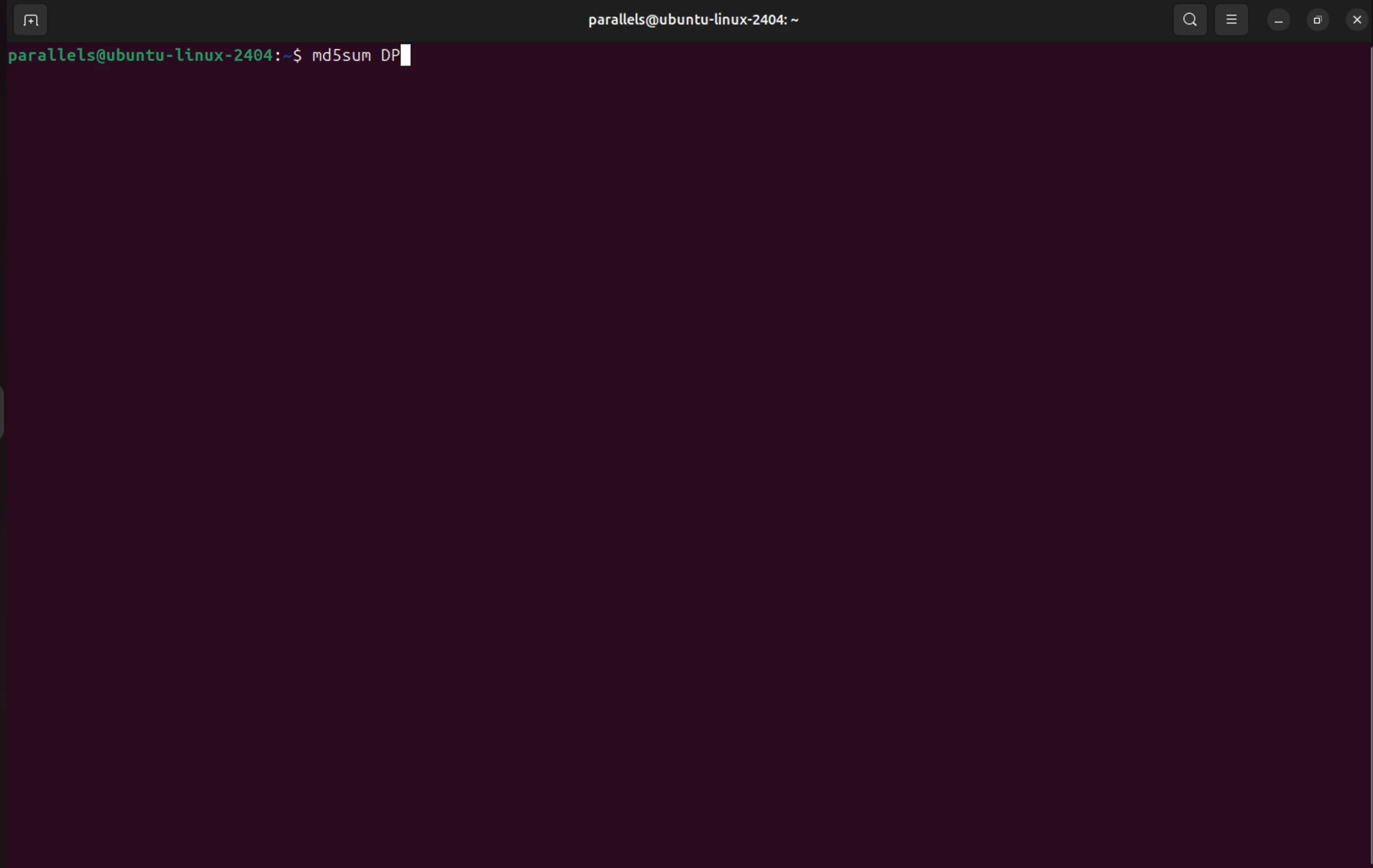 This screenshot has height=868, width=1373. I want to click on search, so click(1189, 22).